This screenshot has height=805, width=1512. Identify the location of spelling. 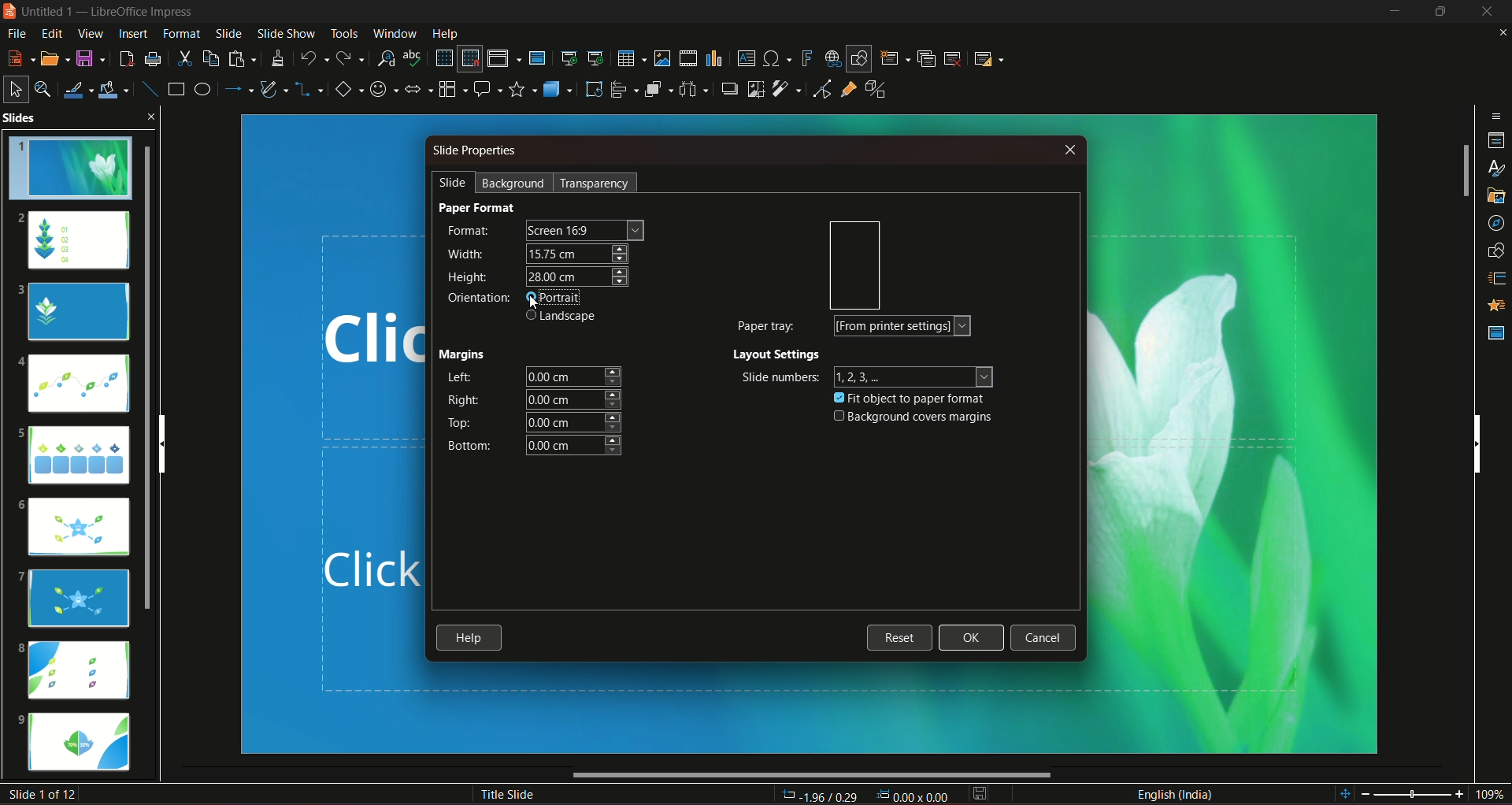
(414, 58).